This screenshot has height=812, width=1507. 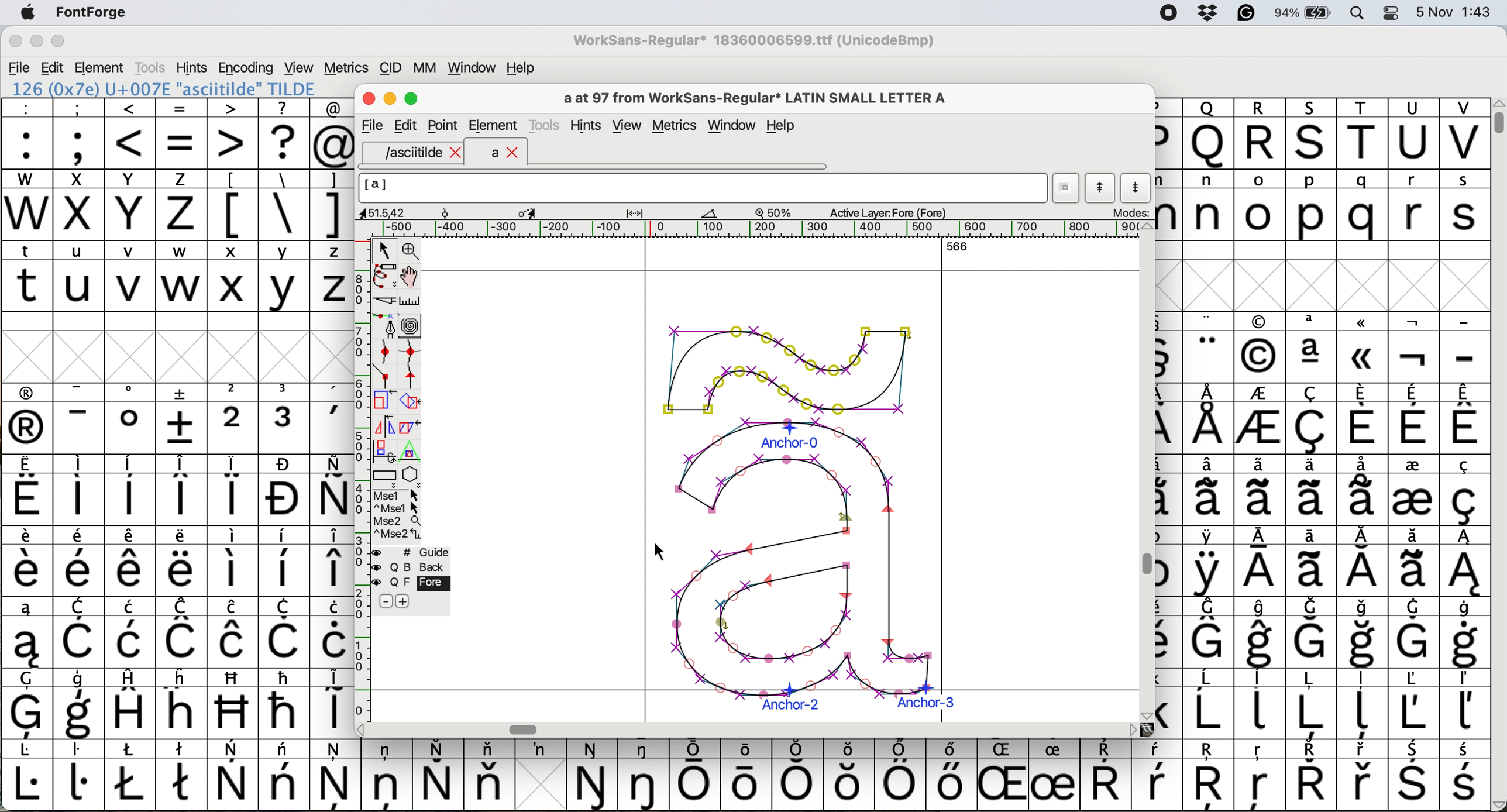 What do you see at coordinates (54, 68) in the screenshot?
I see `edit` at bounding box center [54, 68].